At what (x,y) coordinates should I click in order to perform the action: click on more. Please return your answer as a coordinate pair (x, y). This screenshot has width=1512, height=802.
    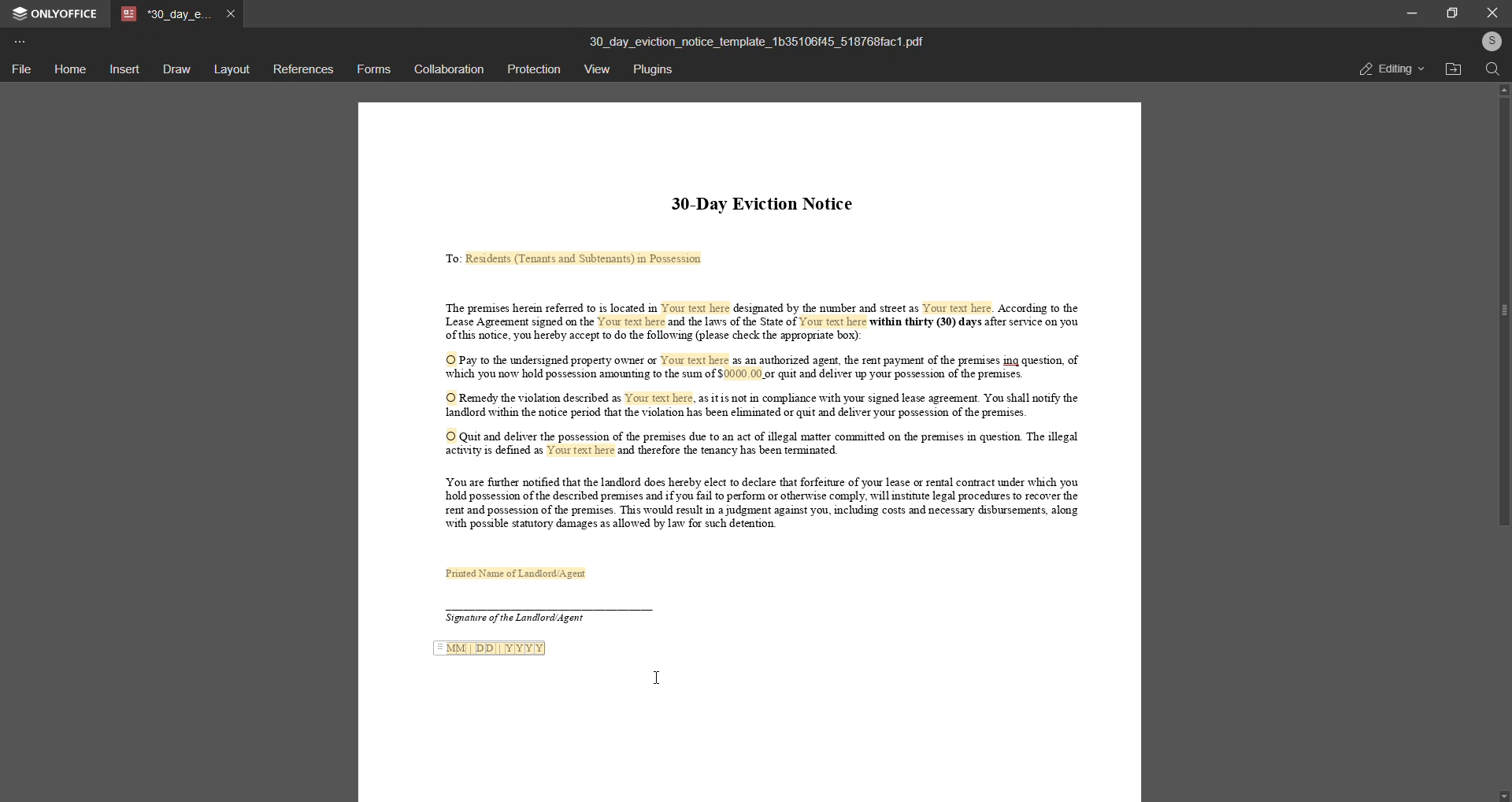
    Looking at the image, I should click on (20, 41).